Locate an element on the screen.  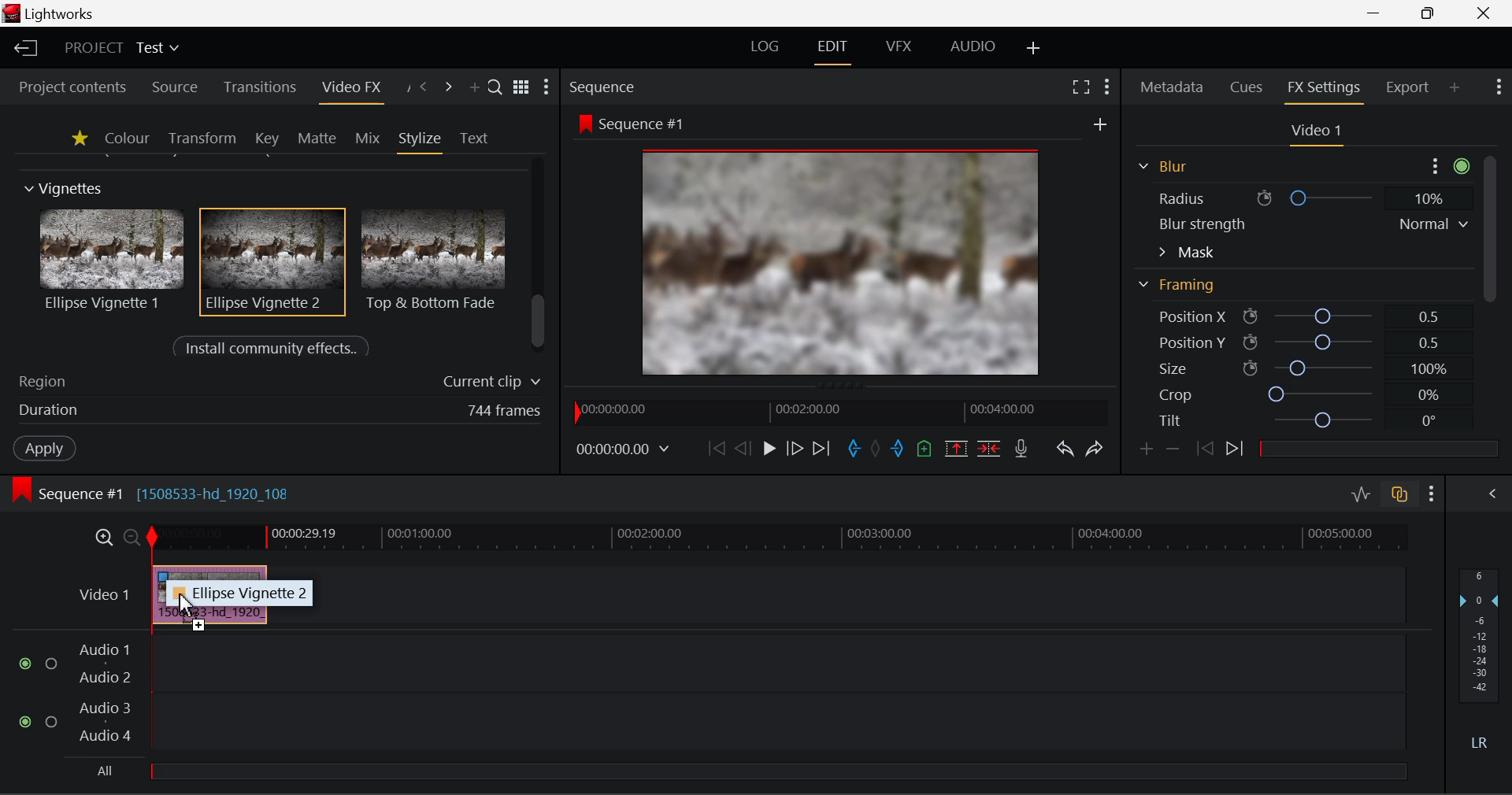
Cues is located at coordinates (1249, 88).